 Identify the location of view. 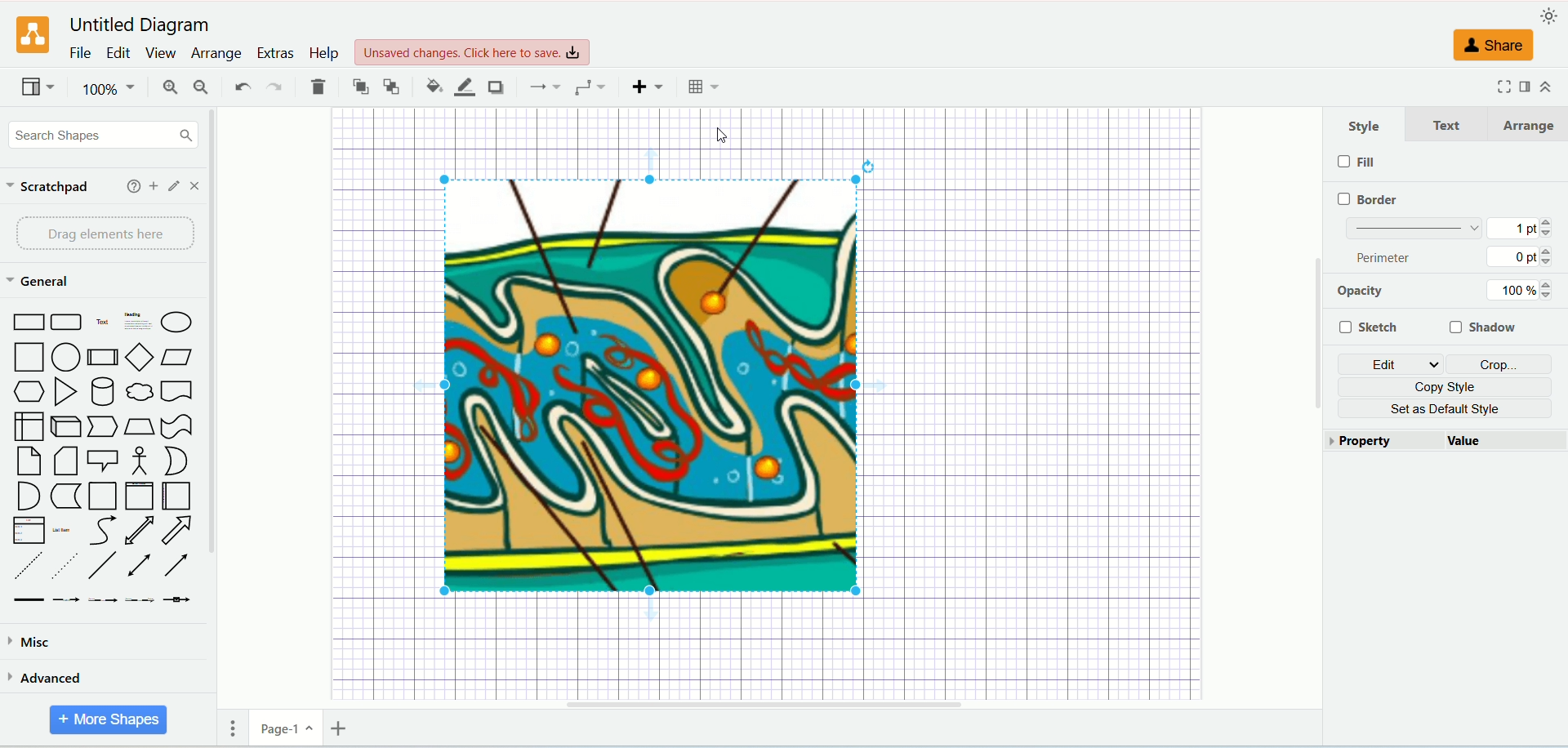
(33, 89).